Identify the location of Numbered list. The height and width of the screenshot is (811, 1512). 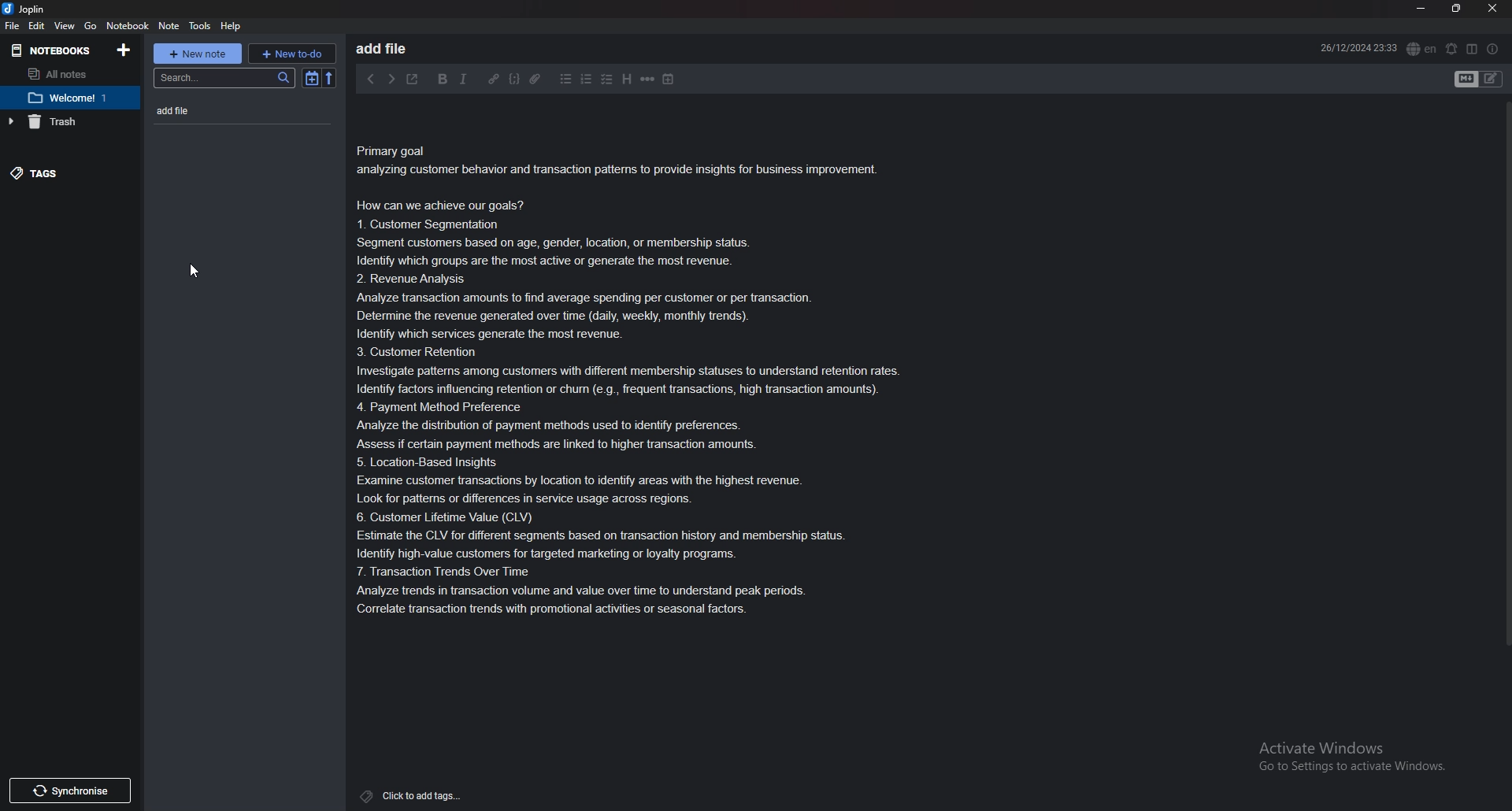
(587, 79).